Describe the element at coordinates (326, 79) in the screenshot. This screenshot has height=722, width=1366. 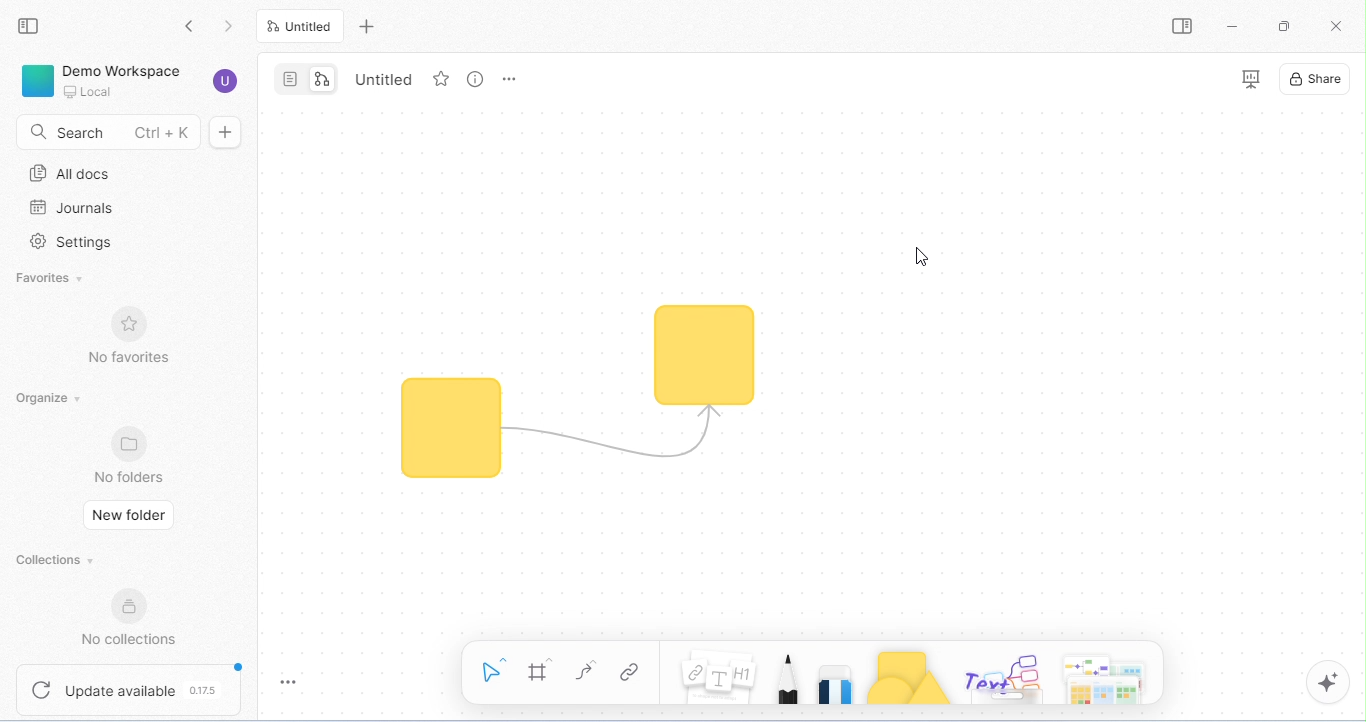
I see `edgeless mode` at that location.